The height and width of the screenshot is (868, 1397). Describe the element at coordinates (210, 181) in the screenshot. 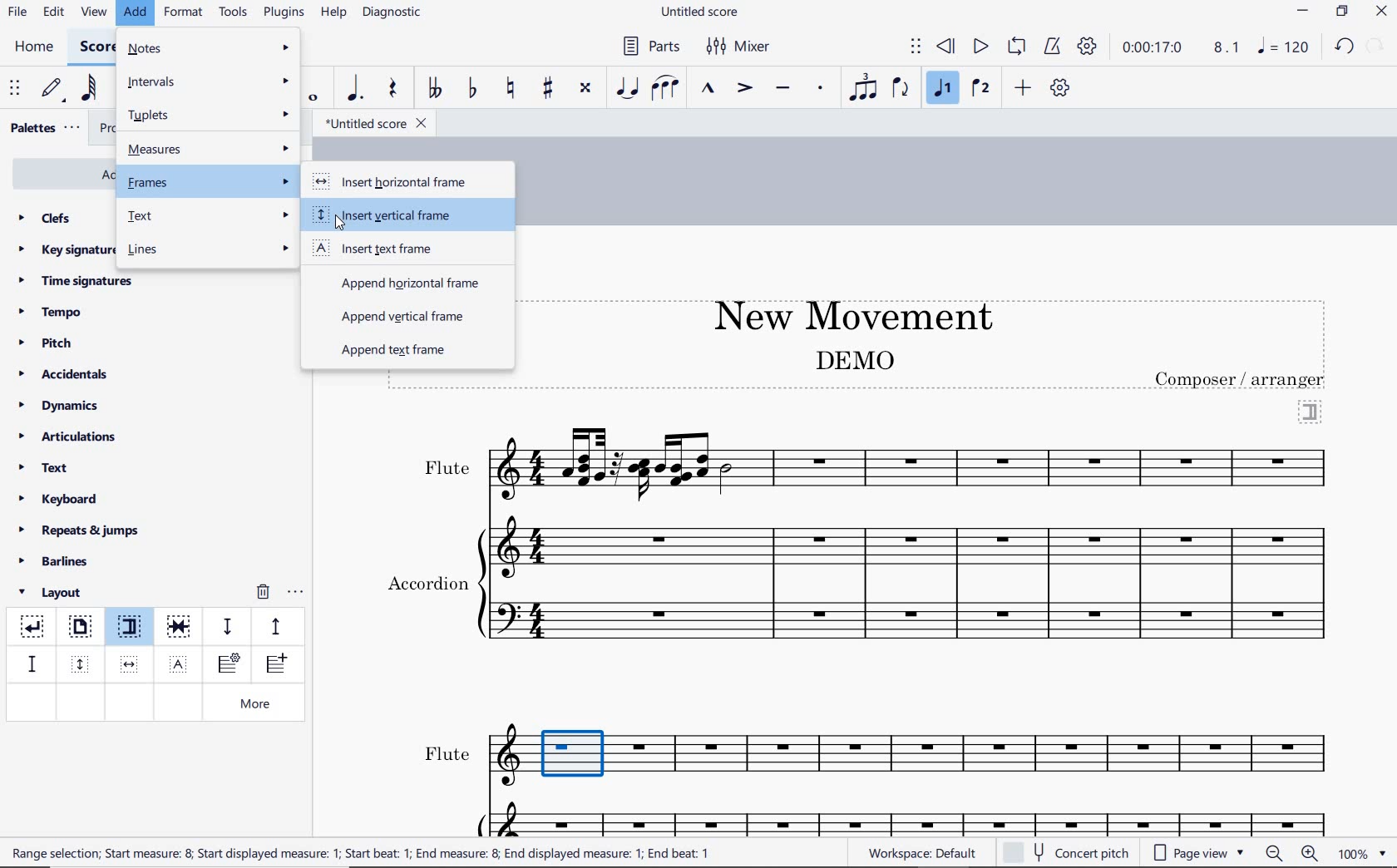

I see `frames` at that location.